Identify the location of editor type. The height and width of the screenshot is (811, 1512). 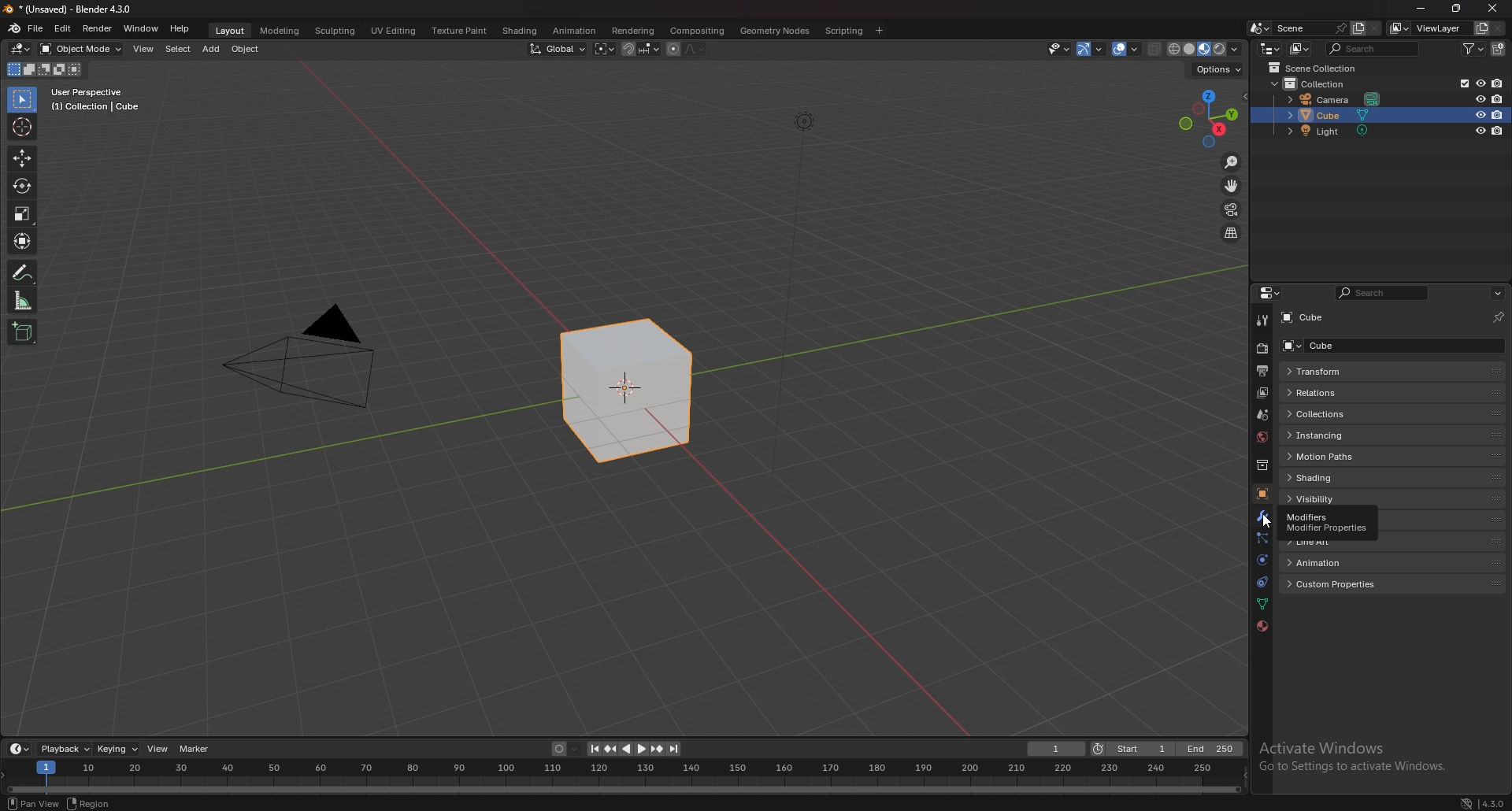
(20, 749).